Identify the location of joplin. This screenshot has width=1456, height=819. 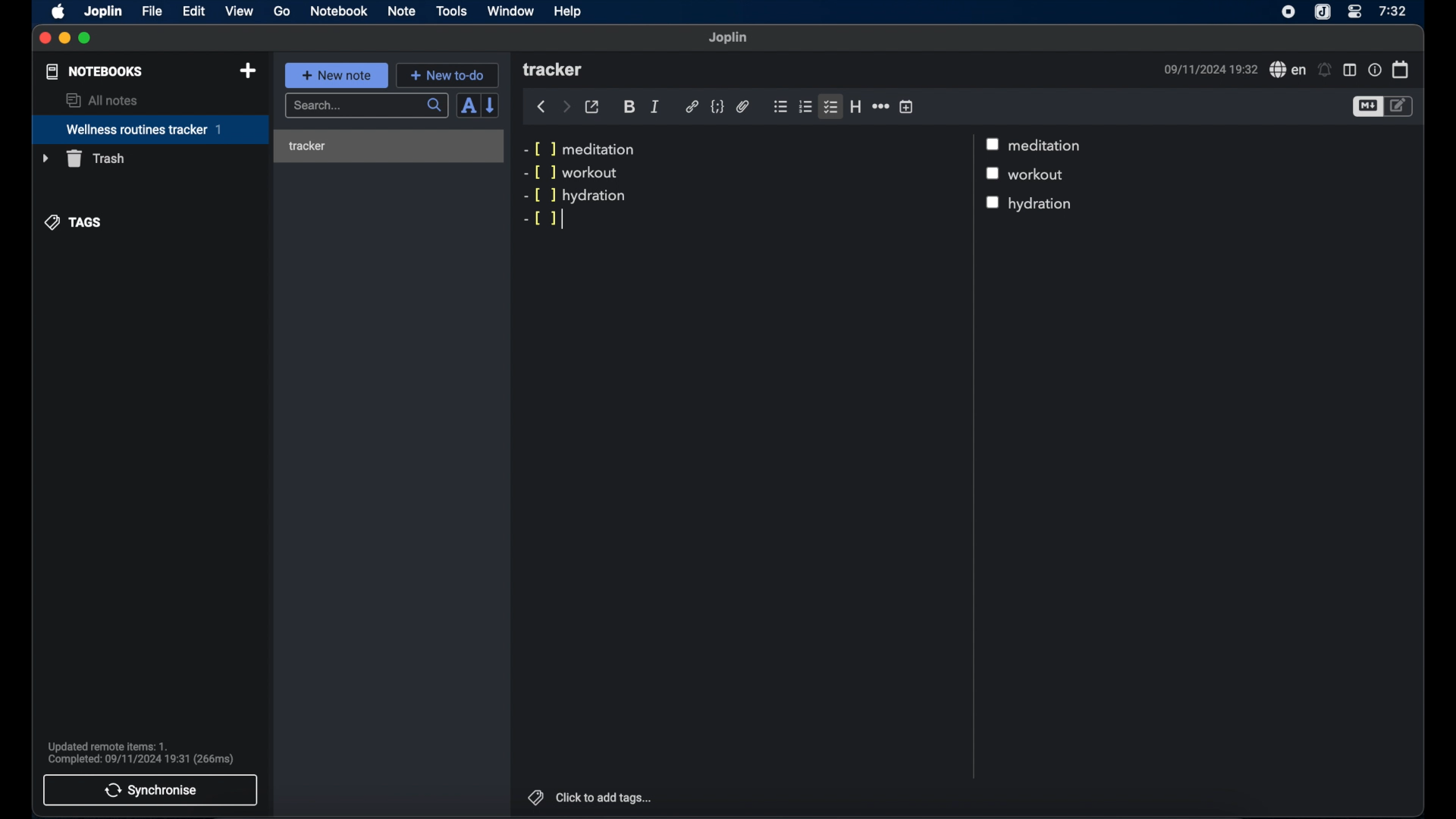
(104, 12).